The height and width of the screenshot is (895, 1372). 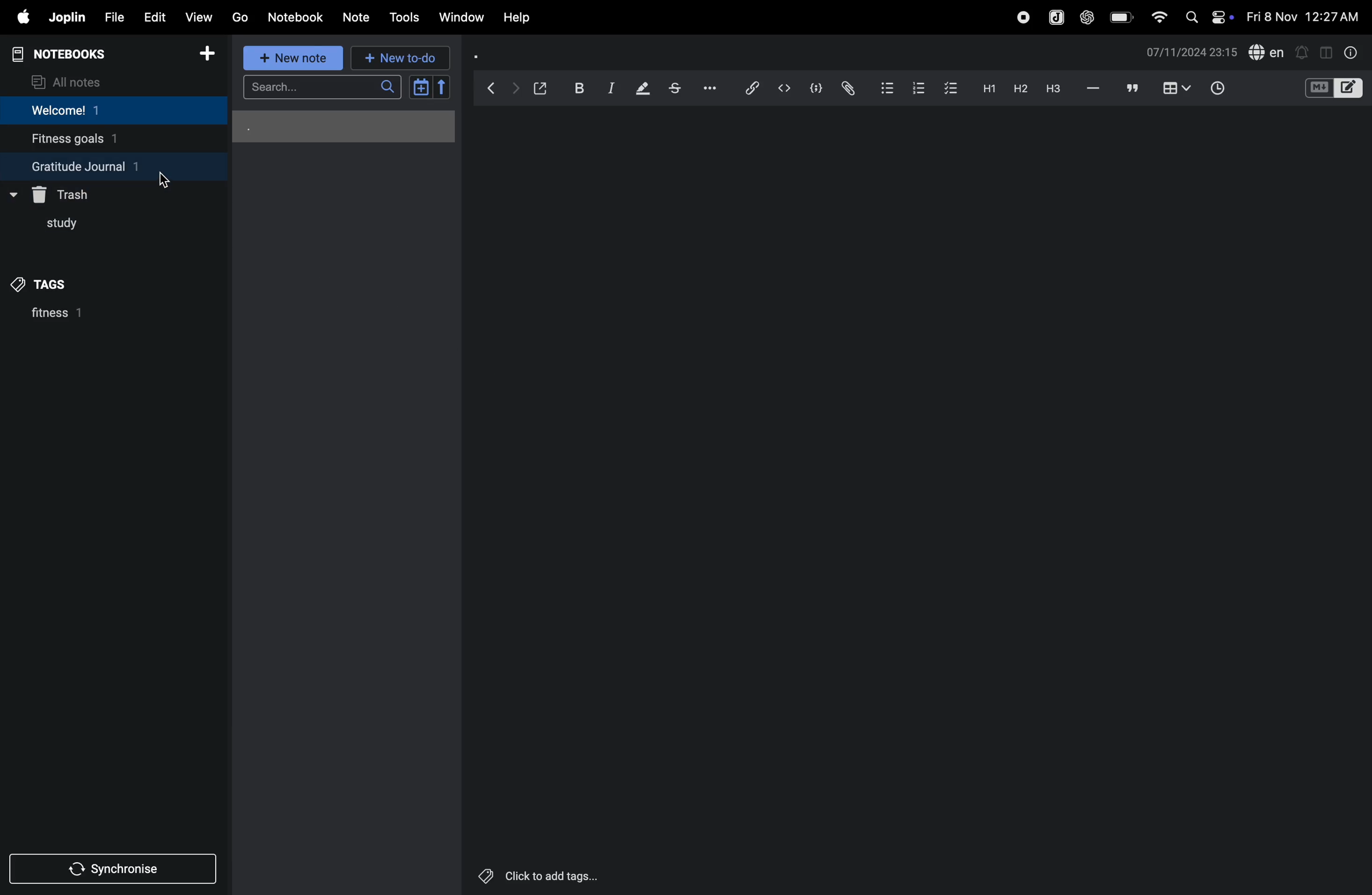 What do you see at coordinates (61, 224) in the screenshot?
I see `study` at bounding box center [61, 224].